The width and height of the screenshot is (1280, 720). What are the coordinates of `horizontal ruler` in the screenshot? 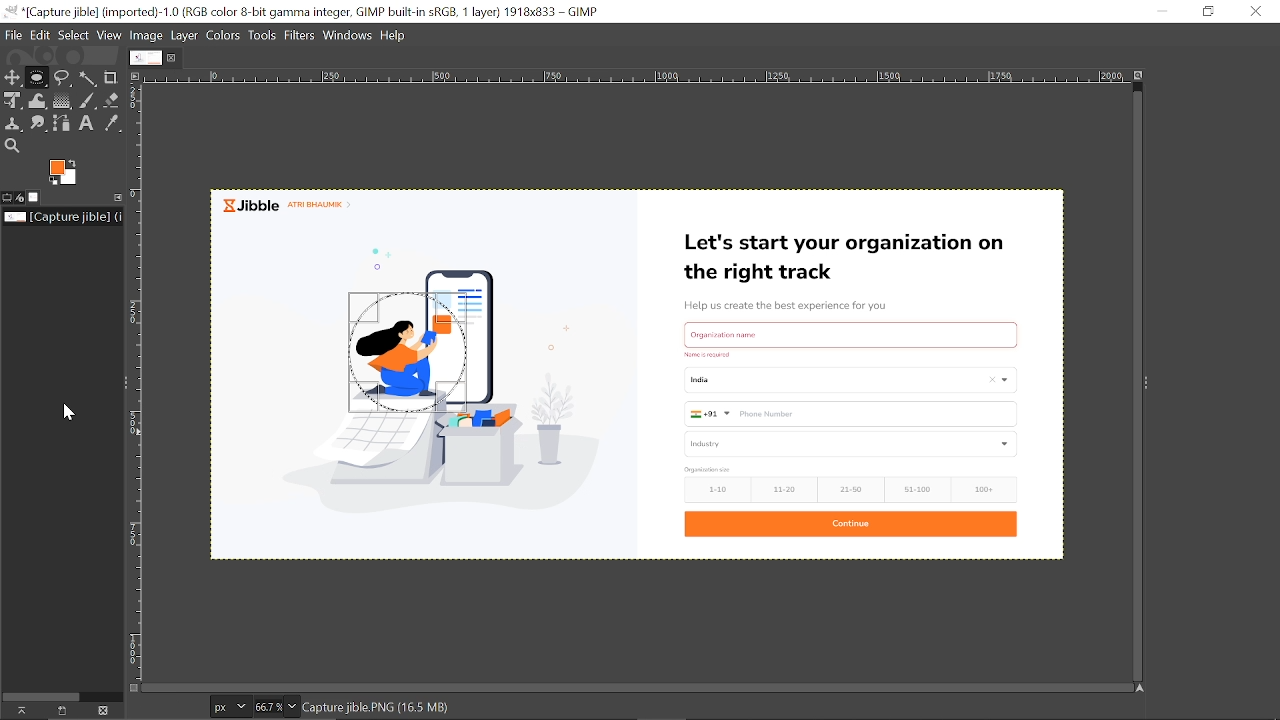 It's located at (629, 77).